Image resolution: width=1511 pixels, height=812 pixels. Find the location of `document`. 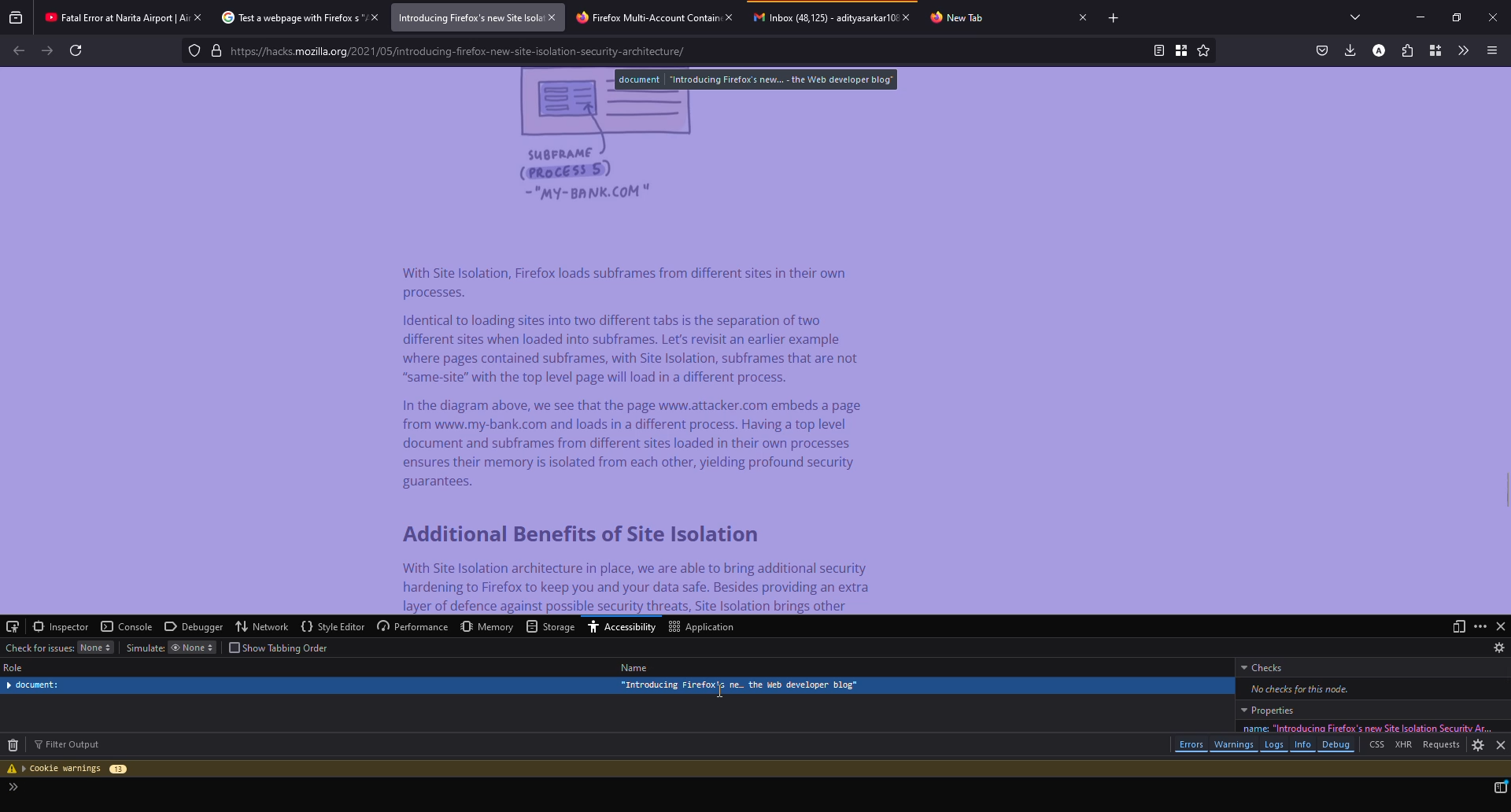

document is located at coordinates (756, 79).